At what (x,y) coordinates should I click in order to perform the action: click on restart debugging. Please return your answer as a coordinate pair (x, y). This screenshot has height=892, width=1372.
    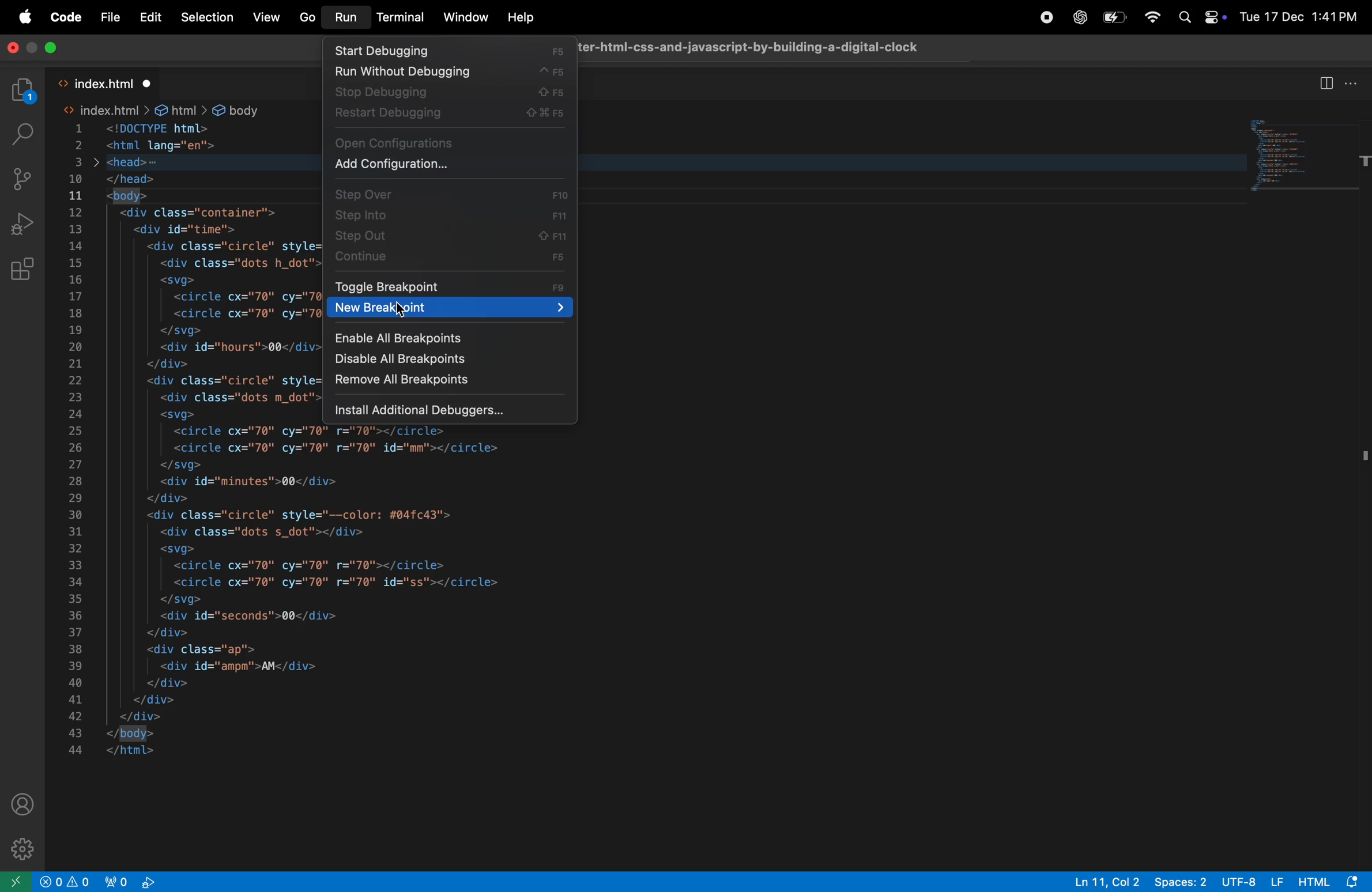
    Looking at the image, I should click on (449, 116).